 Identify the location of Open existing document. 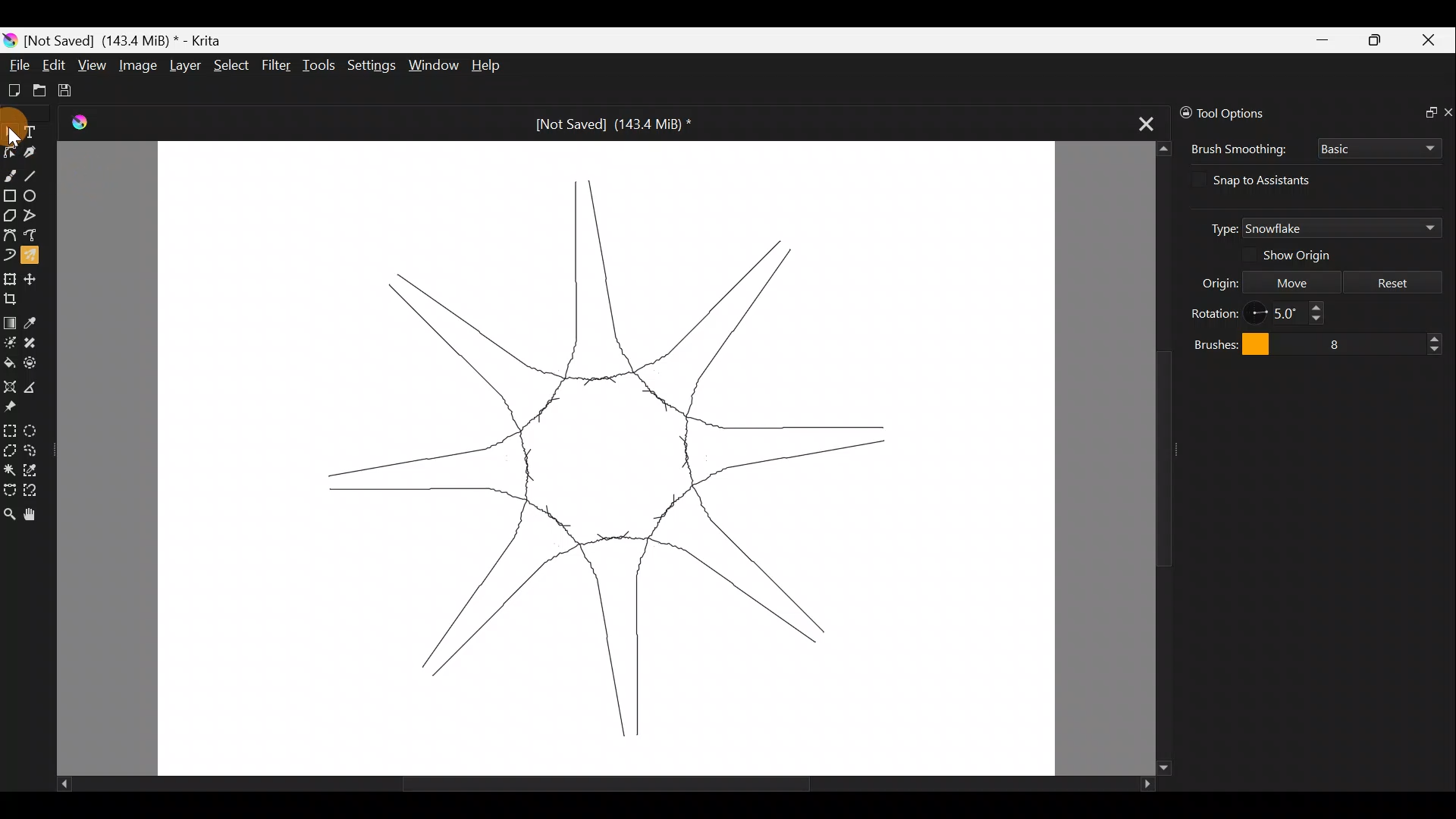
(40, 89).